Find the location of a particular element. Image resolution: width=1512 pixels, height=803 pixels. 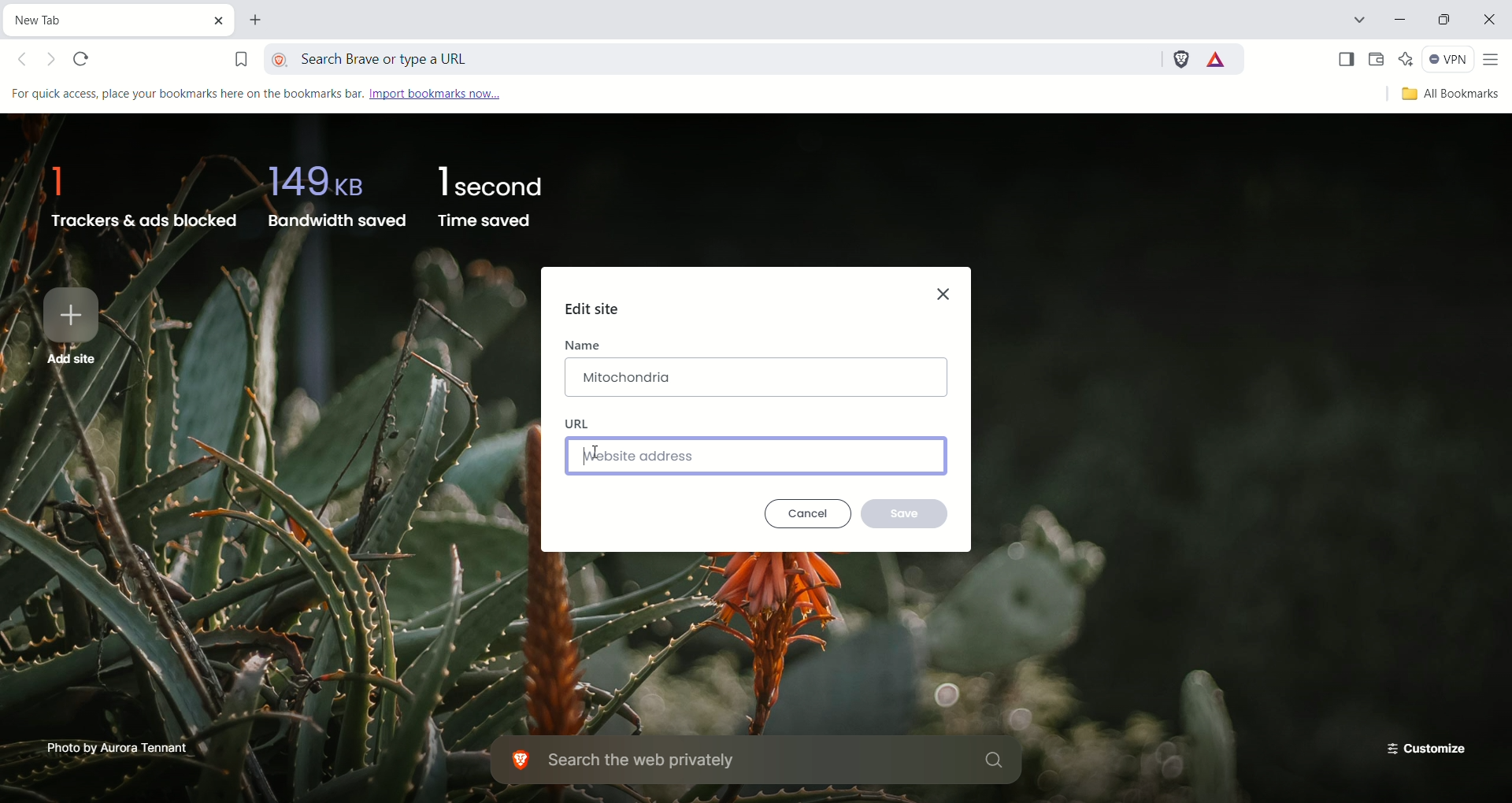

new tab is located at coordinates (258, 22).